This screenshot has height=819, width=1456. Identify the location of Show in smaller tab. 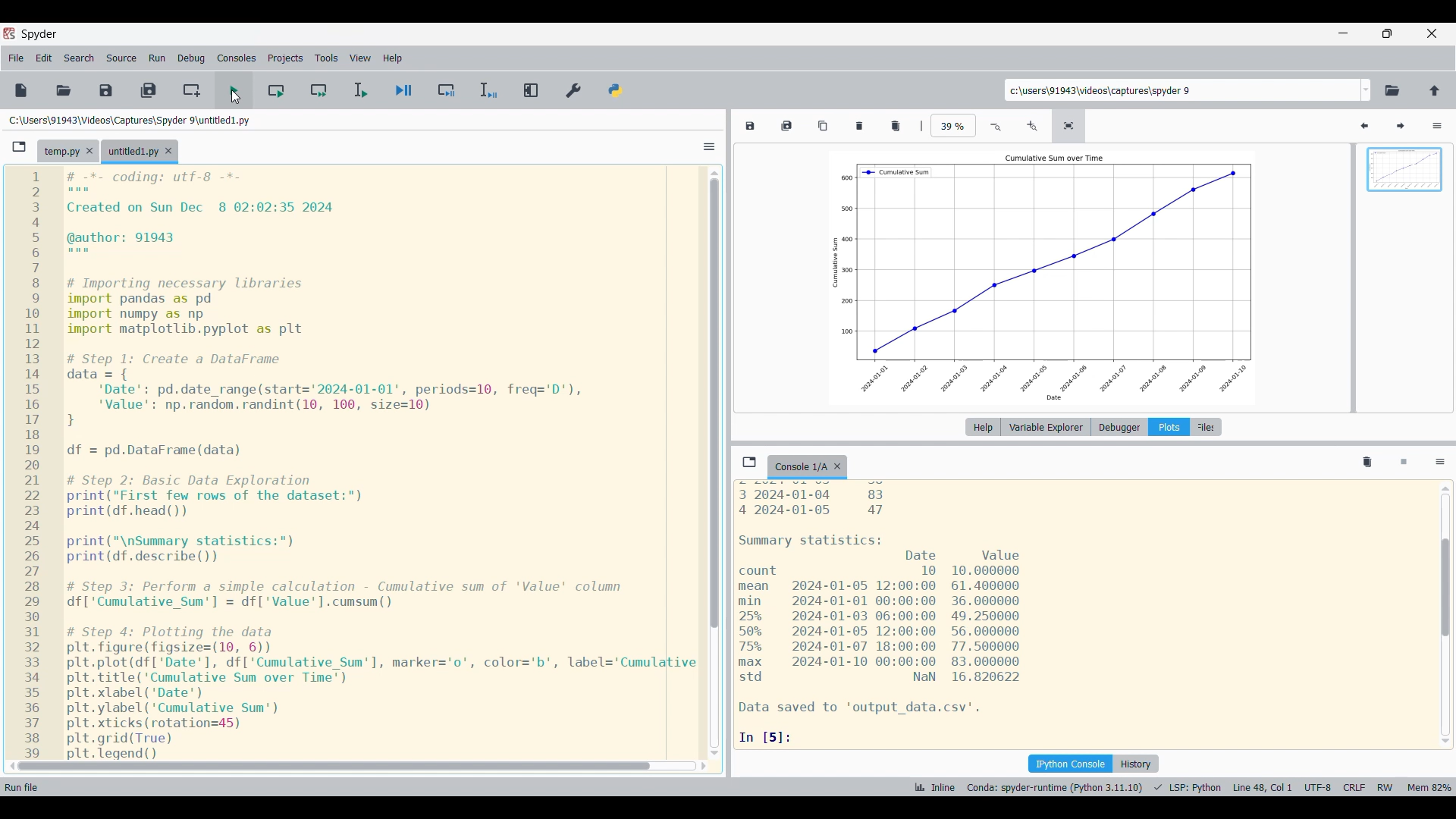
(1388, 34).